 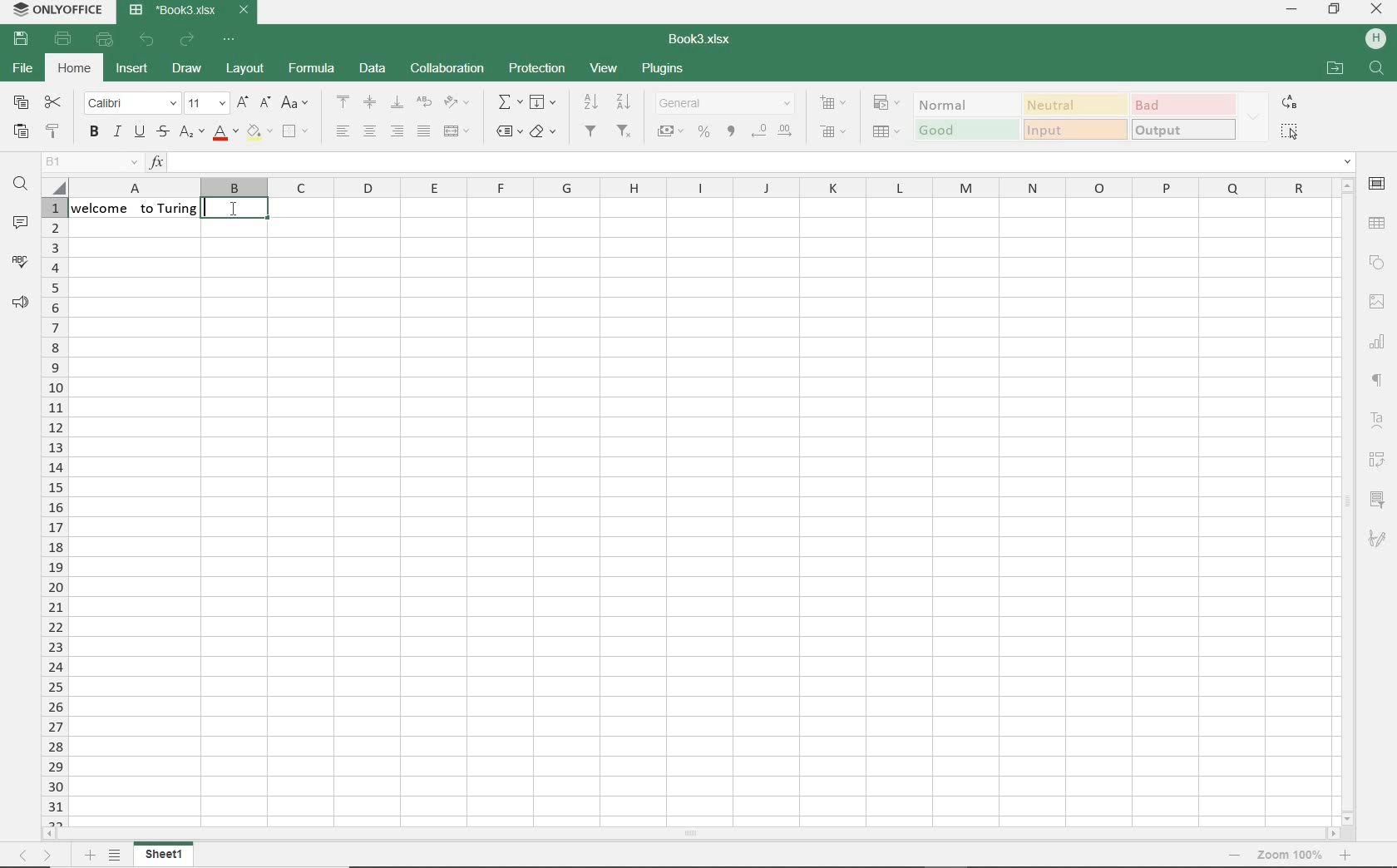 What do you see at coordinates (205, 103) in the screenshot?
I see `font size` at bounding box center [205, 103].